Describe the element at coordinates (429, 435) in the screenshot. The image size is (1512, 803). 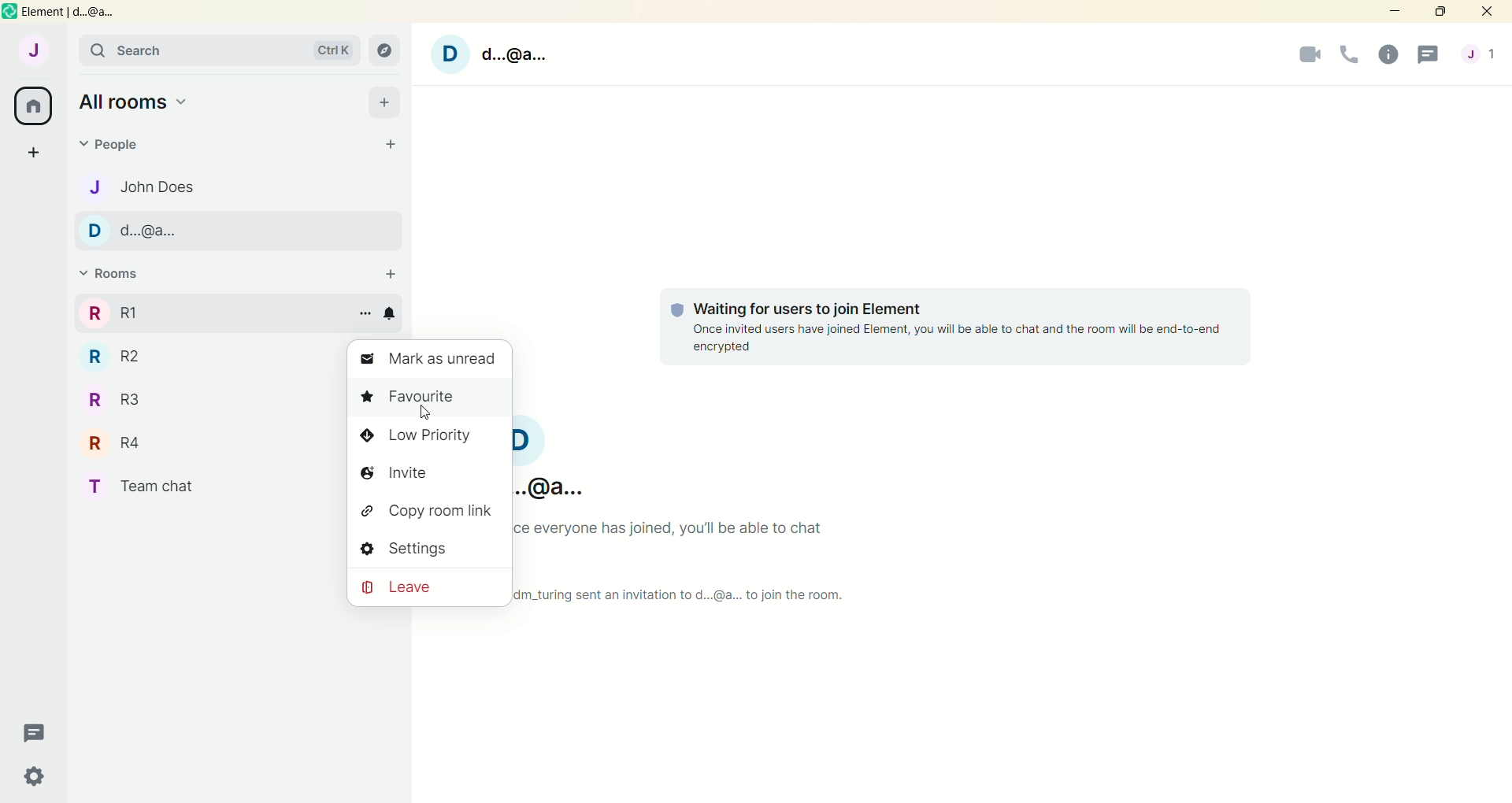
I see `© Low Priority ` at that location.